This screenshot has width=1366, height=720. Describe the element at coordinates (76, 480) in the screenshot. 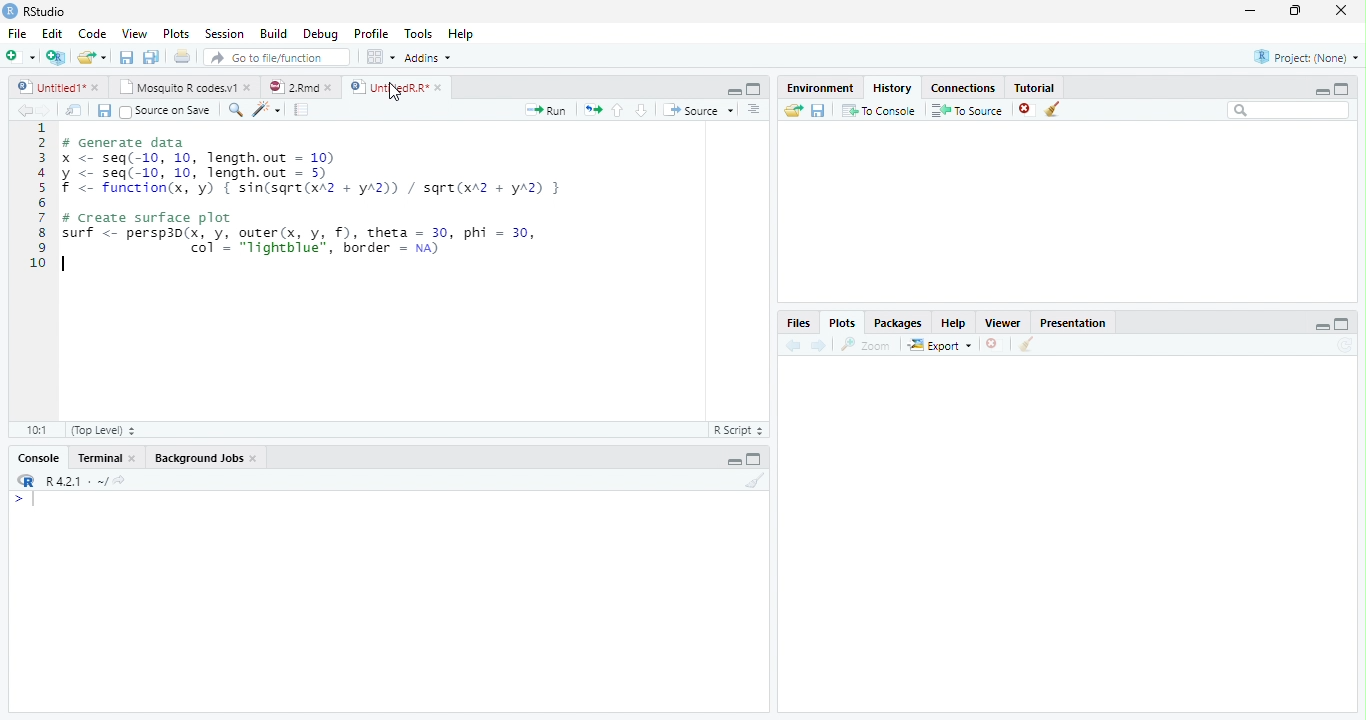

I see `R 4.2.1 . ~/` at that location.